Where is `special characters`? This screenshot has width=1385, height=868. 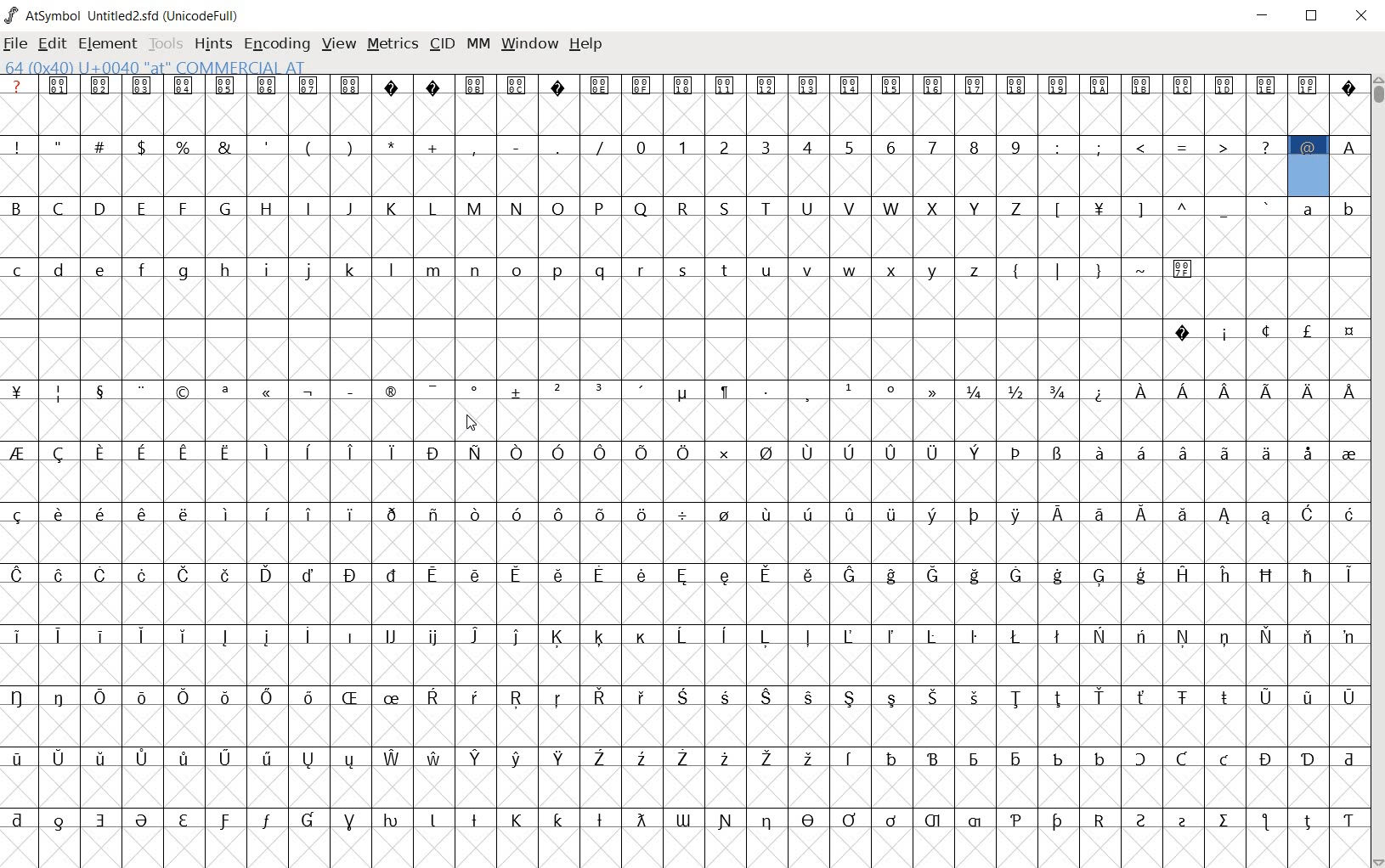 special characters is located at coordinates (1263, 330).